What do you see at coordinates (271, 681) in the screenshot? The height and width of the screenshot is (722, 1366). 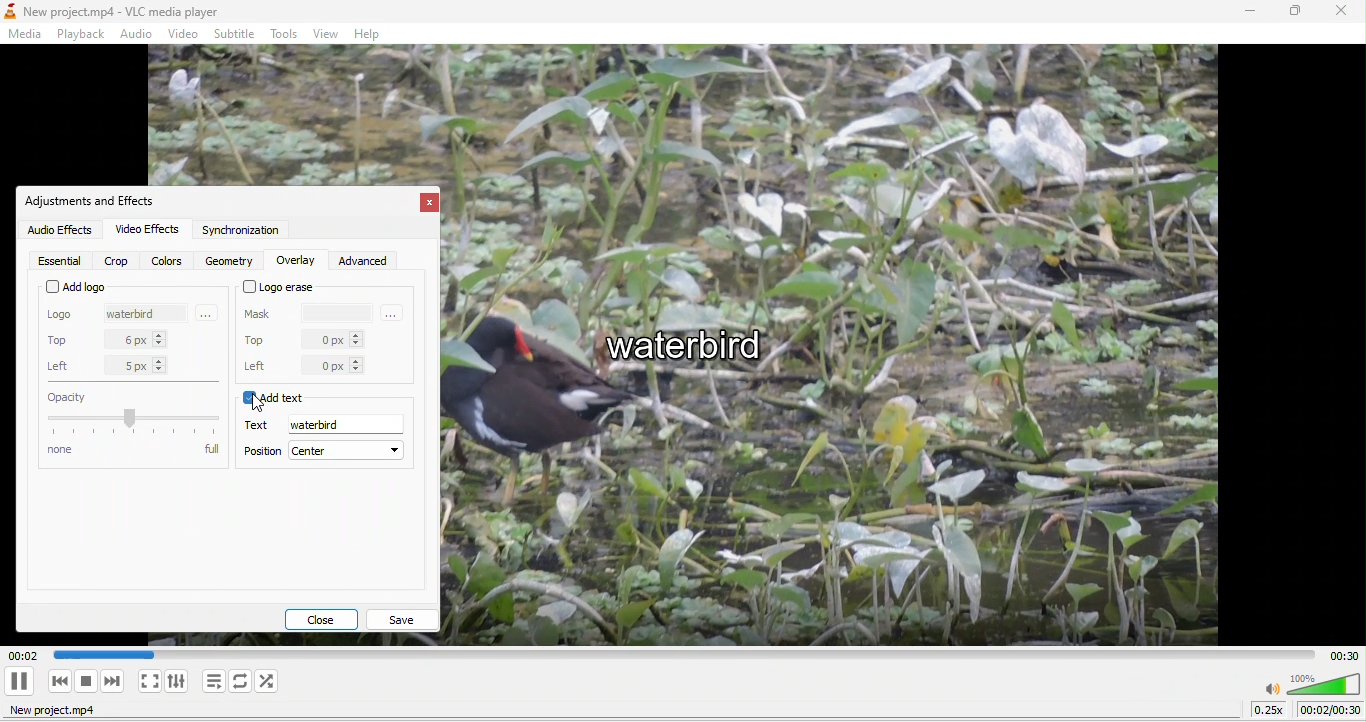 I see `random` at bounding box center [271, 681].